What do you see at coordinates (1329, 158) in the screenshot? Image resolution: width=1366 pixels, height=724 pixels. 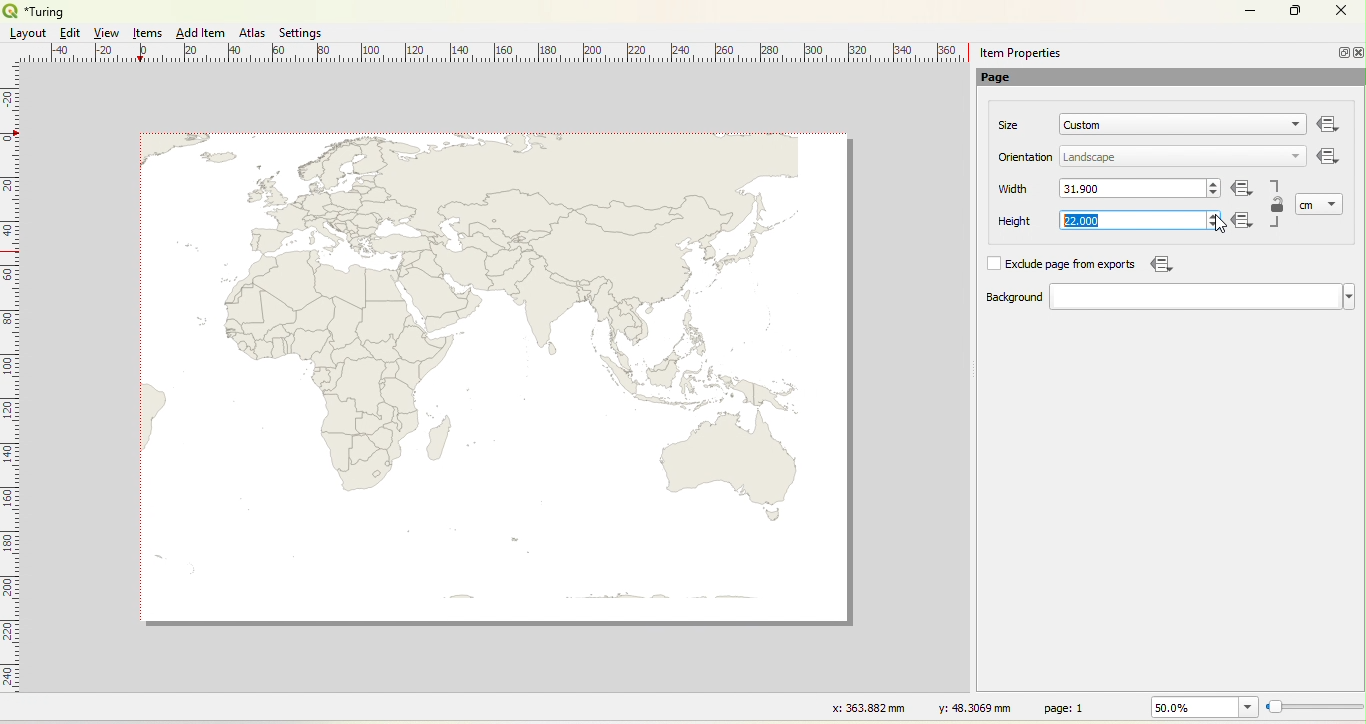 I see `Icon` at bounding box center [1329, 158].